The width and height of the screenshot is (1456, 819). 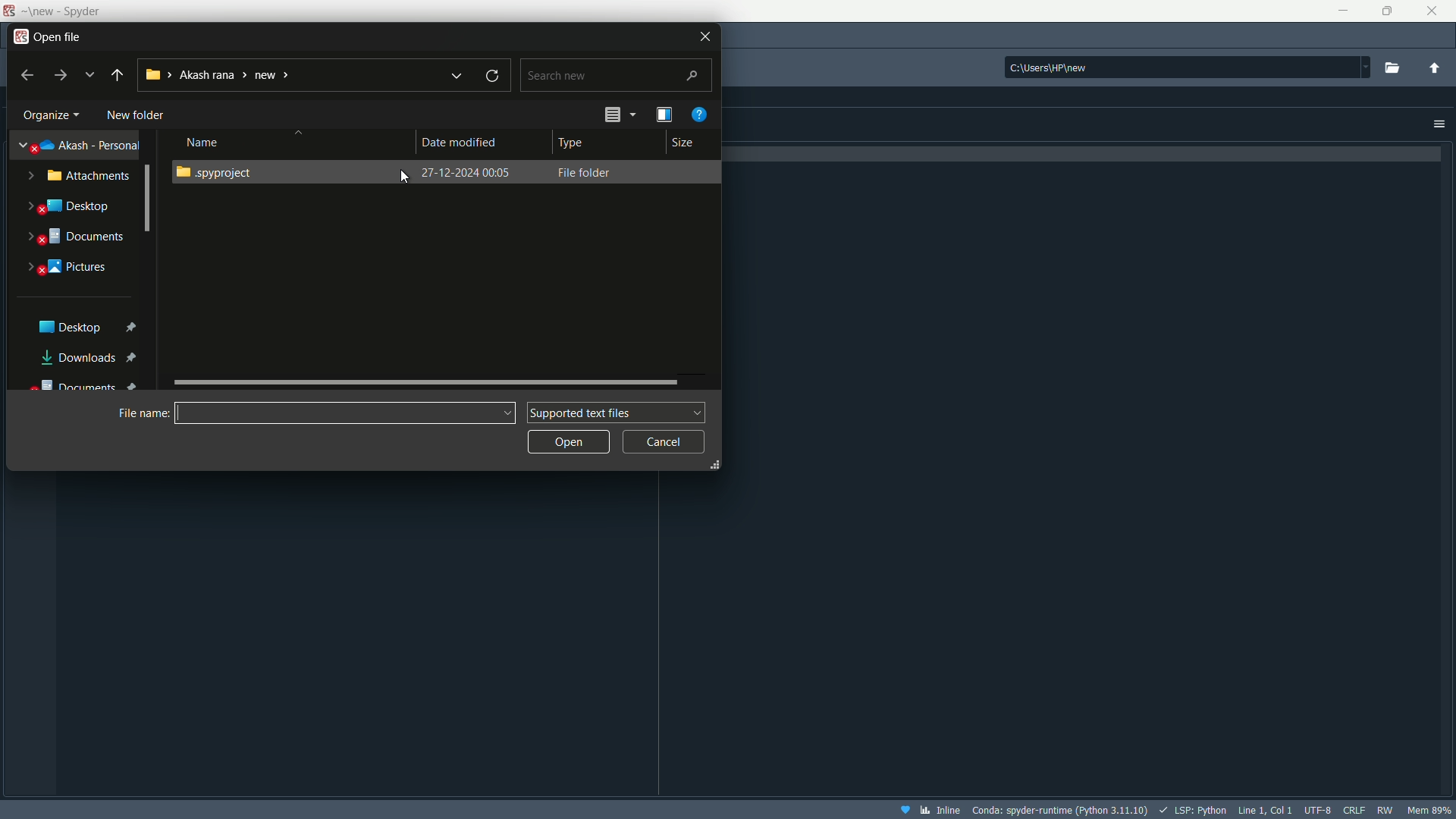 What do you see at coordinates (466, 142) in the screenshot?
I see `Date modified` at bounding box center [466, 142].